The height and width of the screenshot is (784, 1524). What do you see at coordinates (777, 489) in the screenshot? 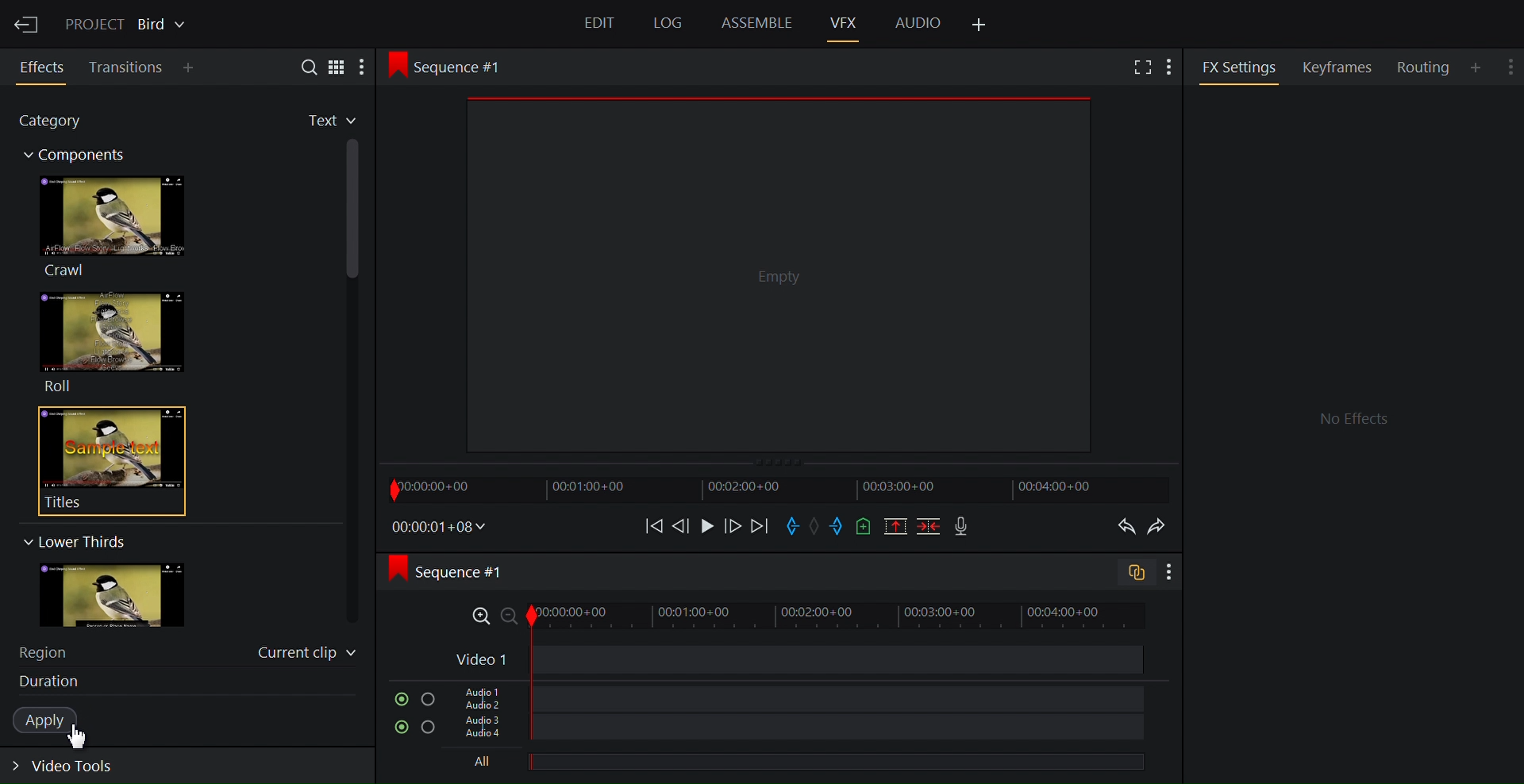
I see `Timeline` at bounding box center [777, 489].